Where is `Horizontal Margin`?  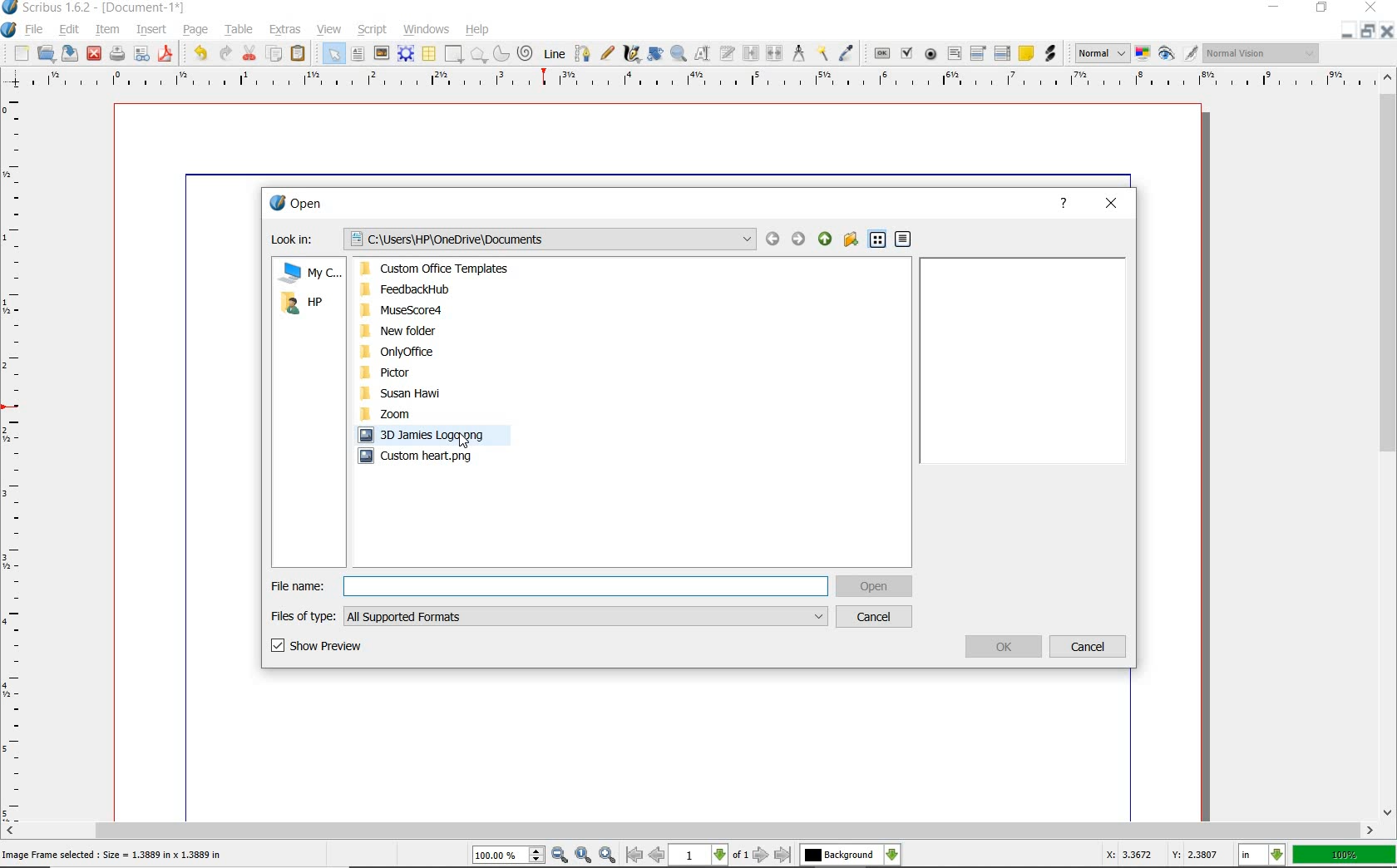
Horizontal Margin is located at coordinates (700, 80).